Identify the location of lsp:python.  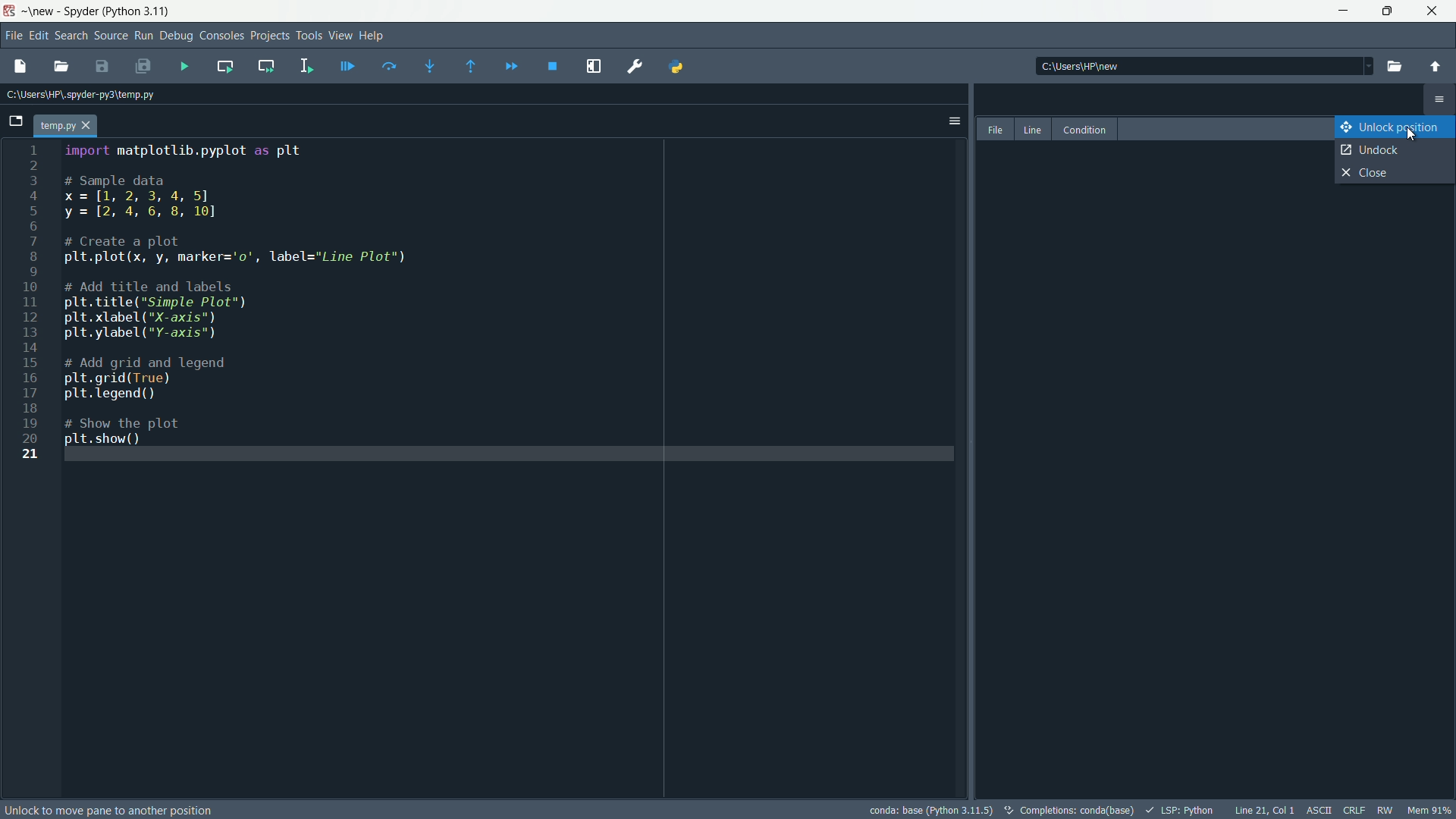
(1181, 809).